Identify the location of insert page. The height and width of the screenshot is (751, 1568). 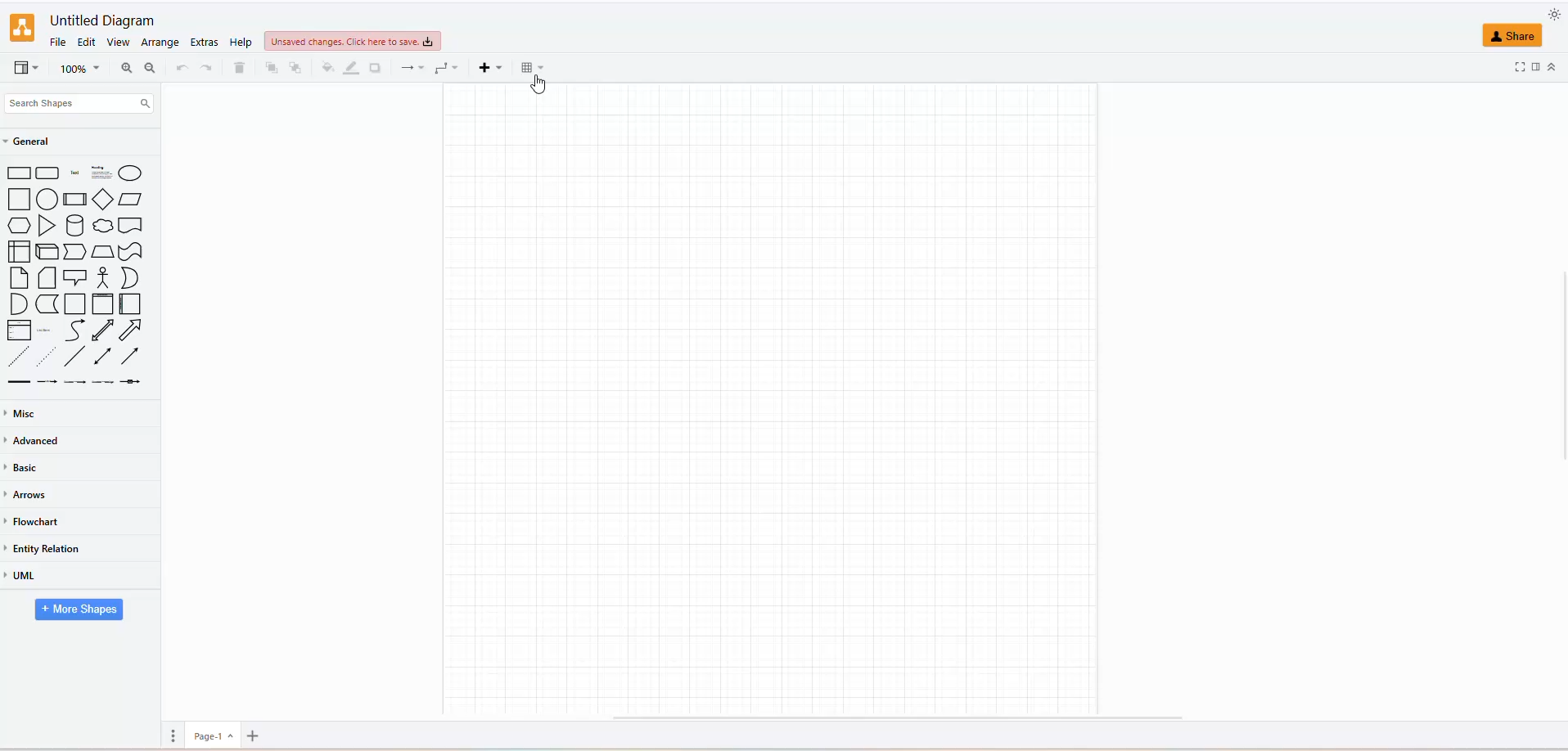
(253, 735).